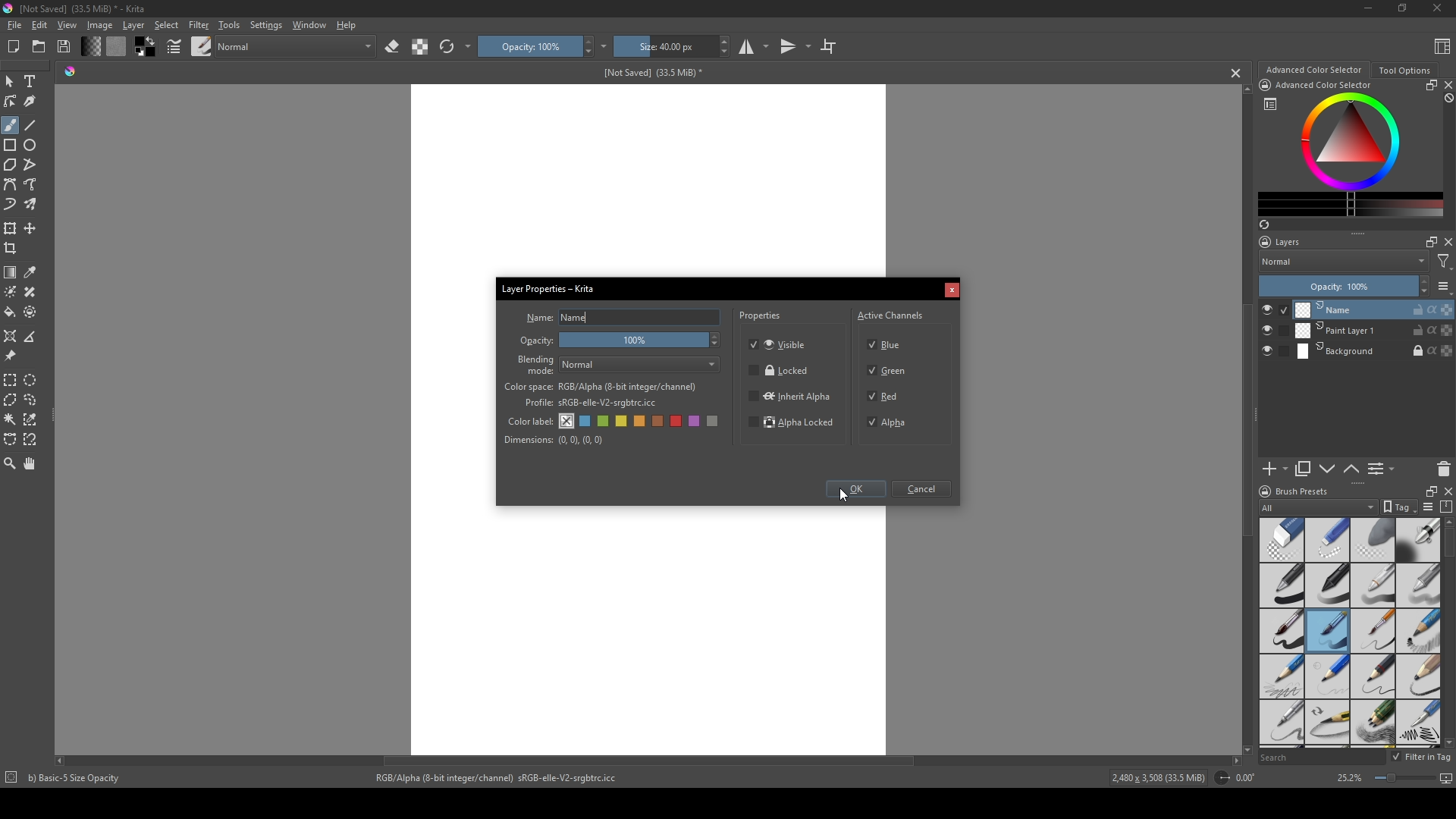  What do you see at coordinates (1373, 632) in the screenshot?
I see `thin brush` at bounding box center [1373, 632].